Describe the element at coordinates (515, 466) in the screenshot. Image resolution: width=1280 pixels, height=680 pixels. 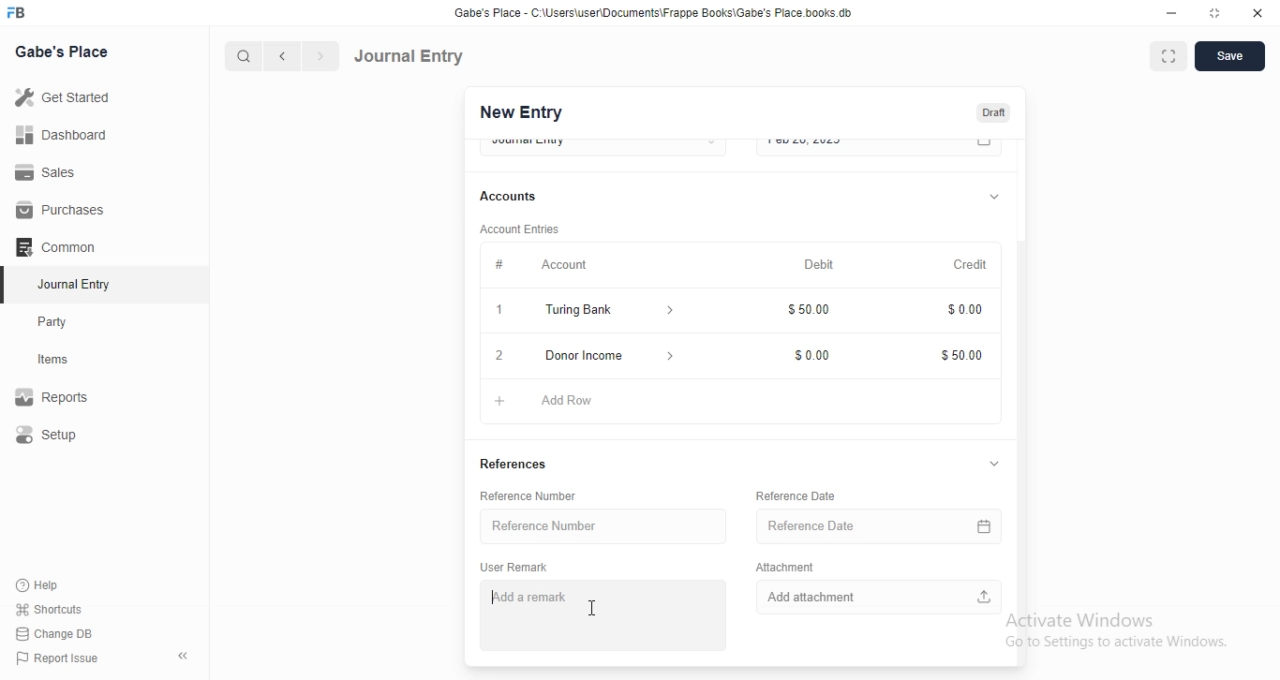
I see `References` at that location.